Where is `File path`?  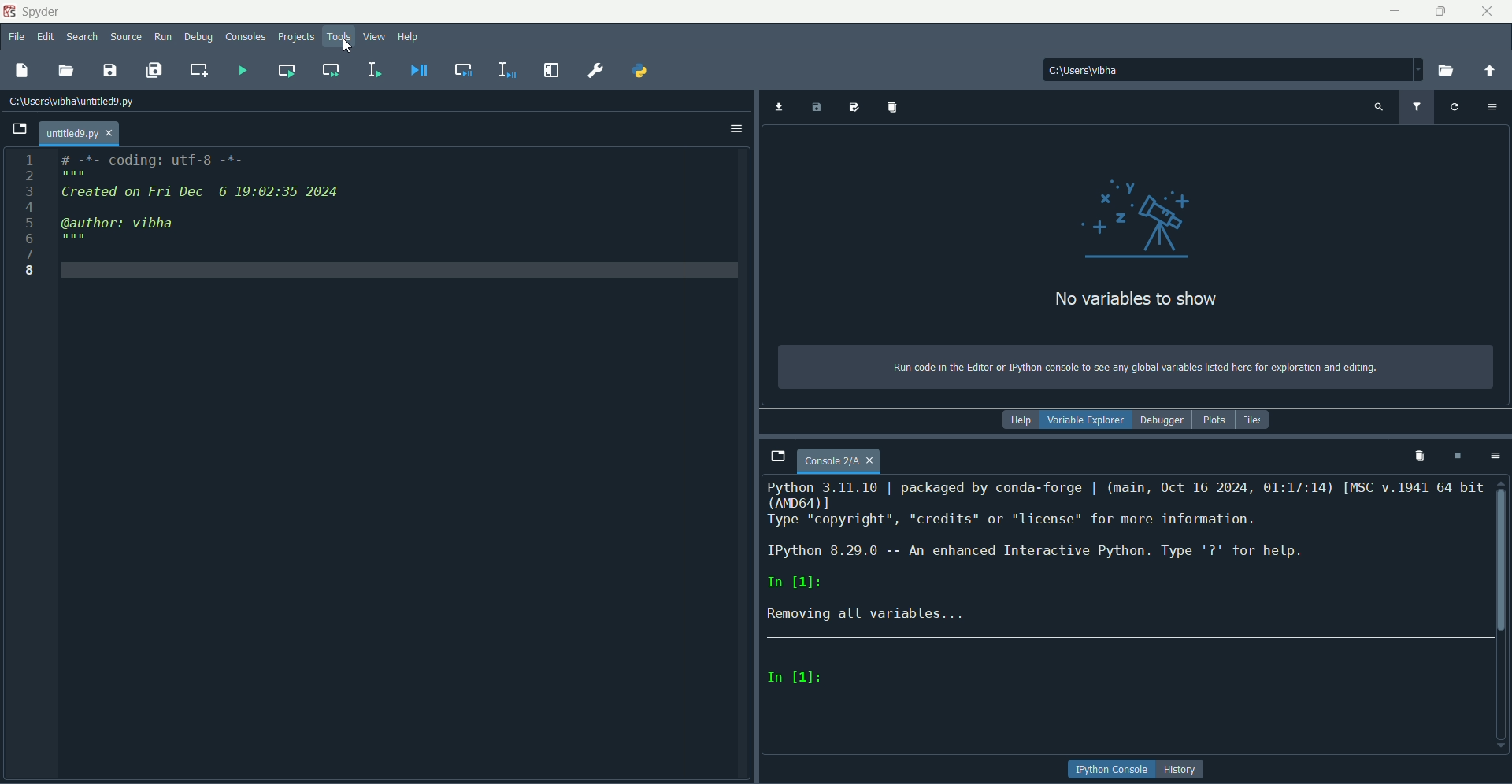 File path is located at coordinates (75, 101).